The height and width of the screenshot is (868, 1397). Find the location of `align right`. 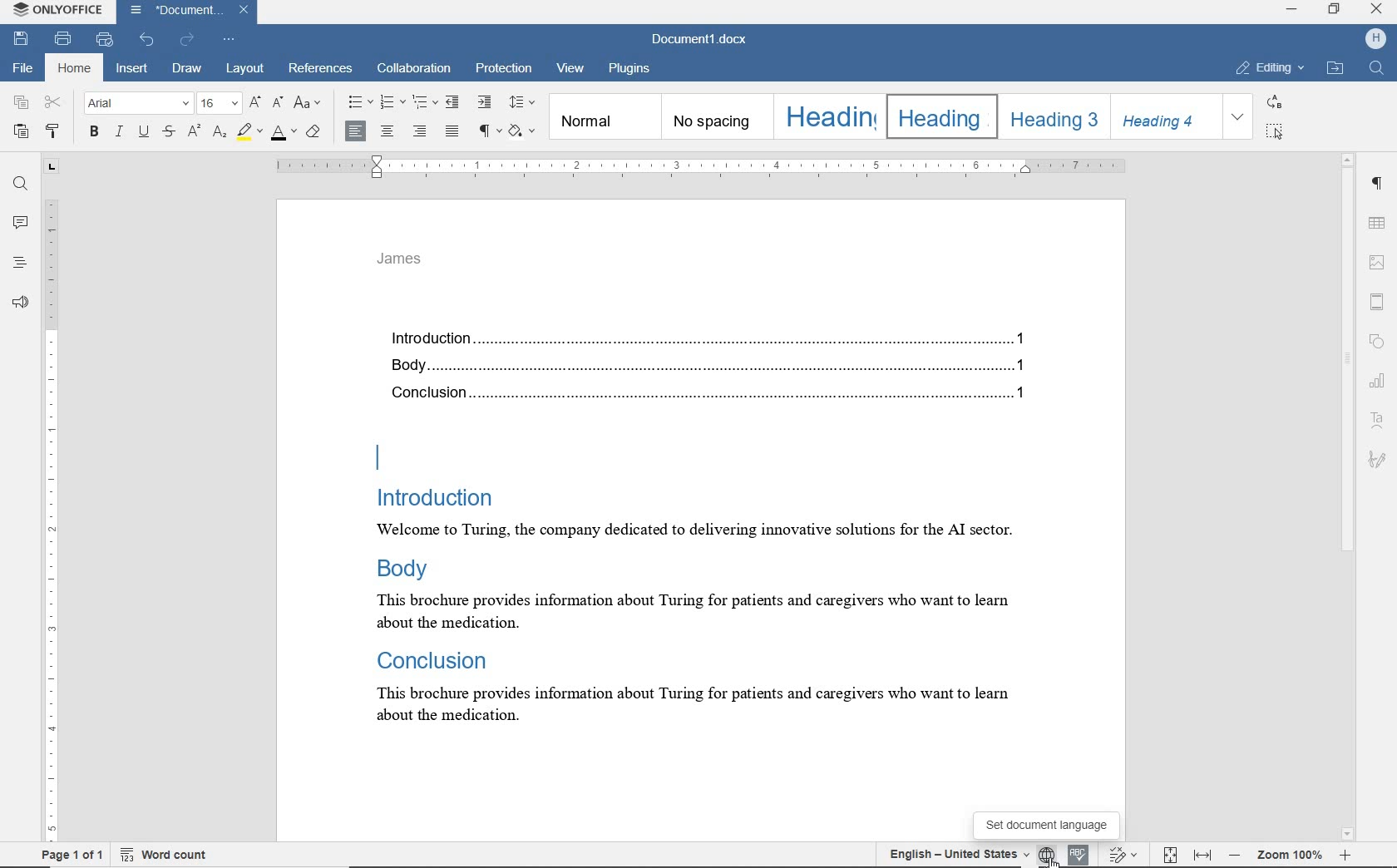

align right is located at coordinates (422, 133).